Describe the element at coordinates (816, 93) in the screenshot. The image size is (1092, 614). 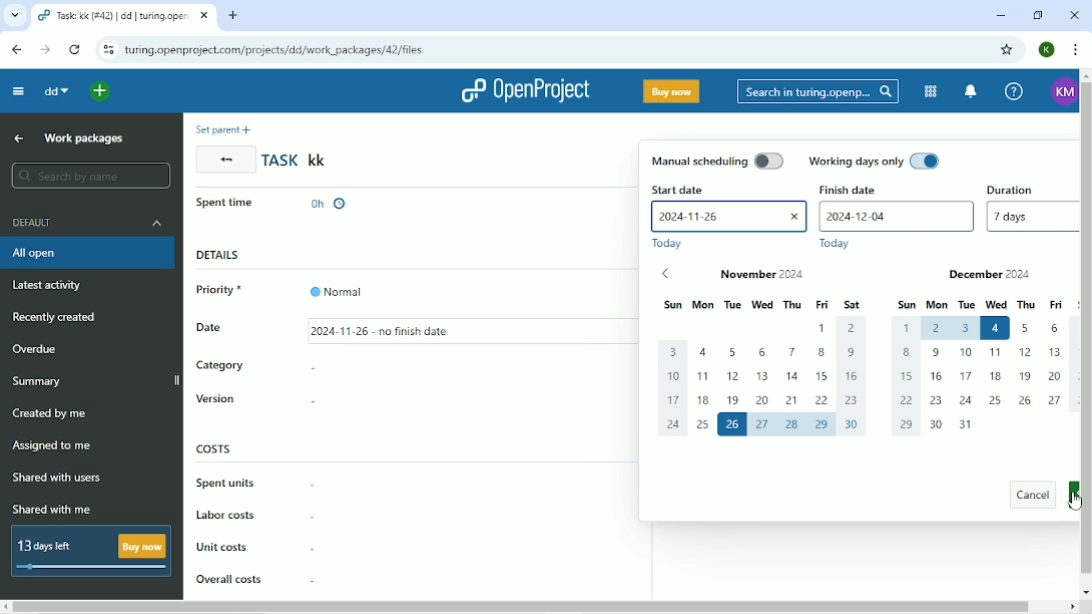
I see `Search in turing.openprojects.com` at that location.